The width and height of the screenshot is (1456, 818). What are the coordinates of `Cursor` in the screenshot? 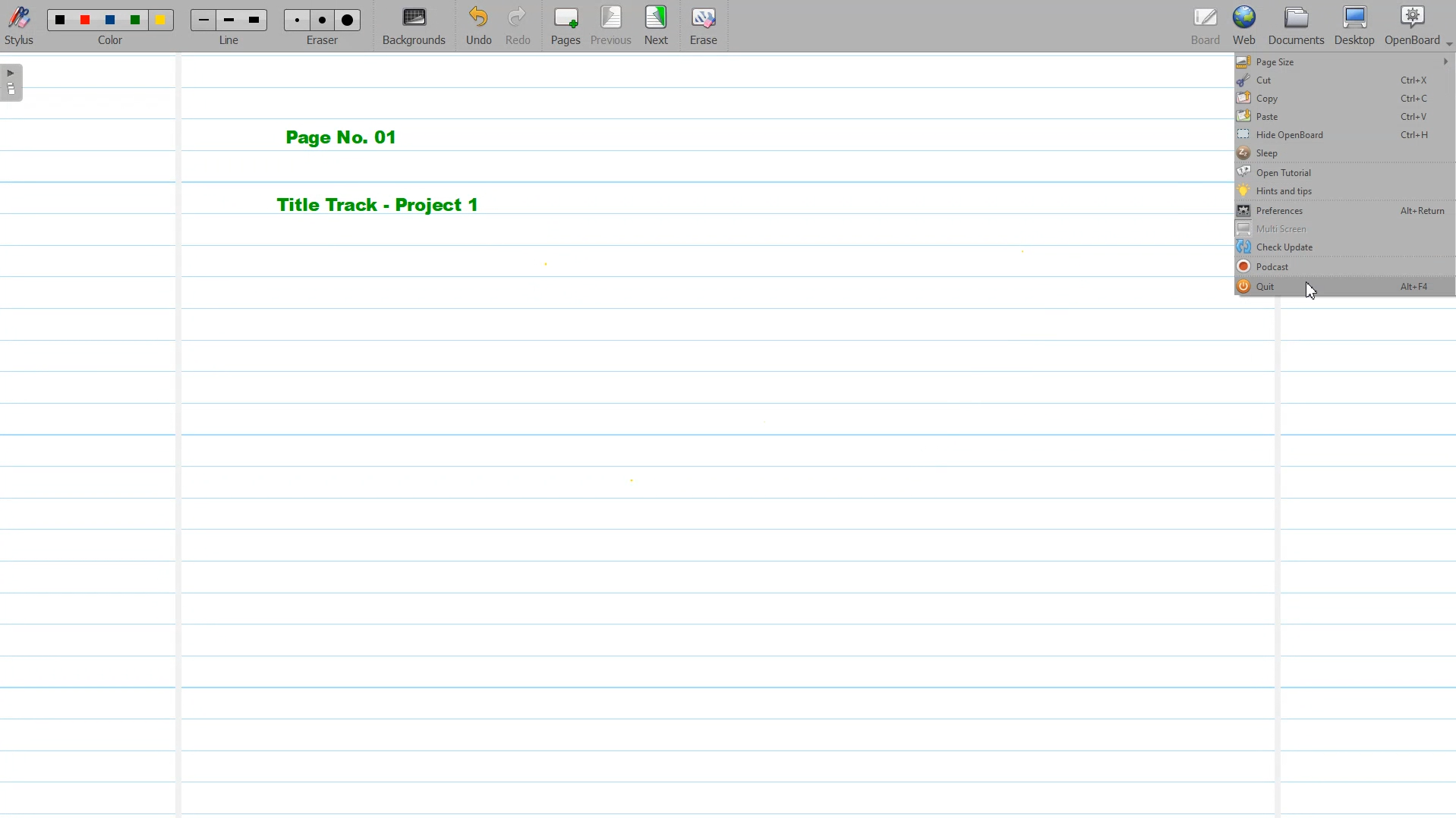 It's located at (1310, 291).